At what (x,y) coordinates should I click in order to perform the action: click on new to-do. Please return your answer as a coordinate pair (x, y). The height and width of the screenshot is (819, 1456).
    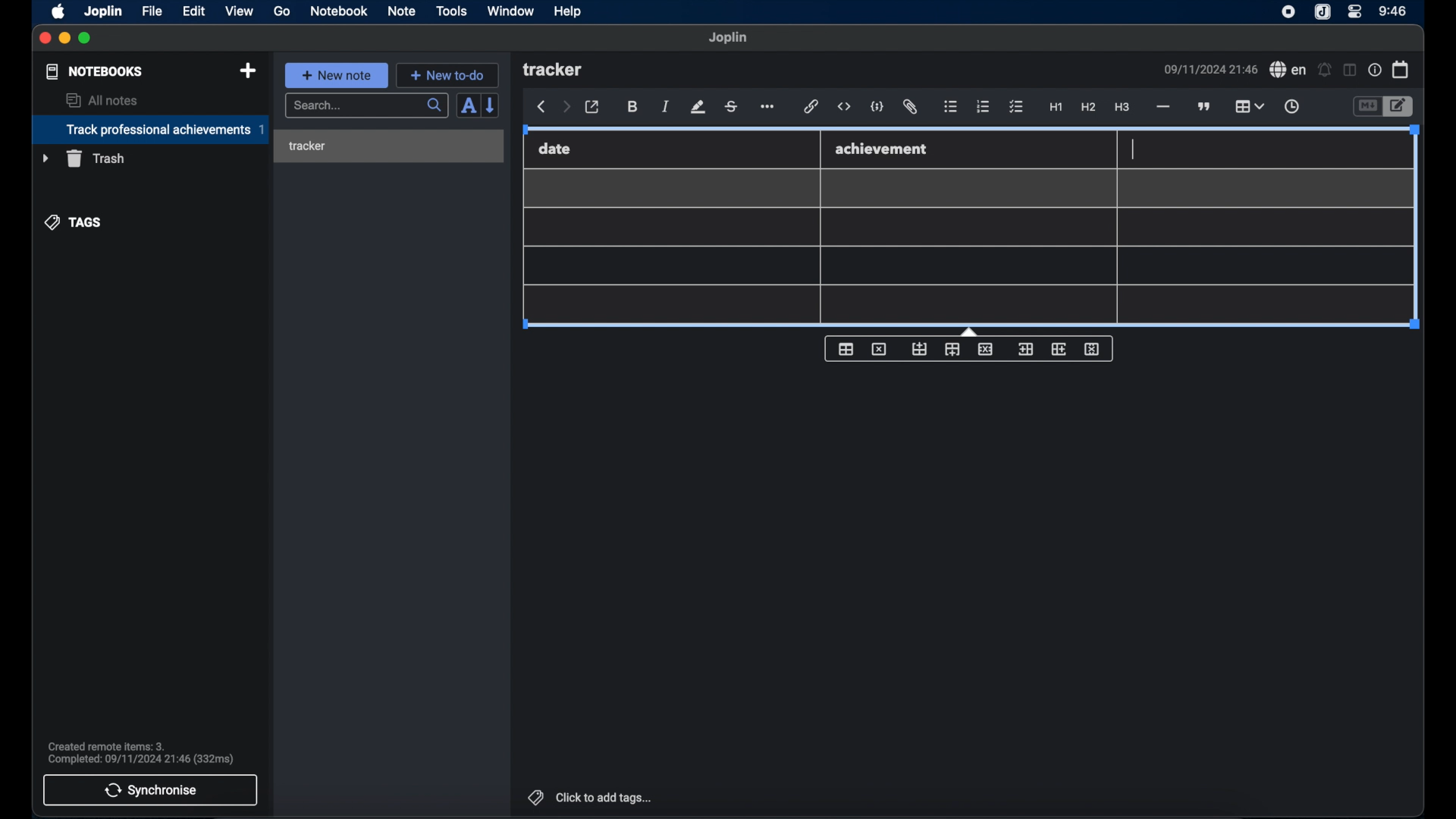
    Looking at the image, I should click on (447, 75).